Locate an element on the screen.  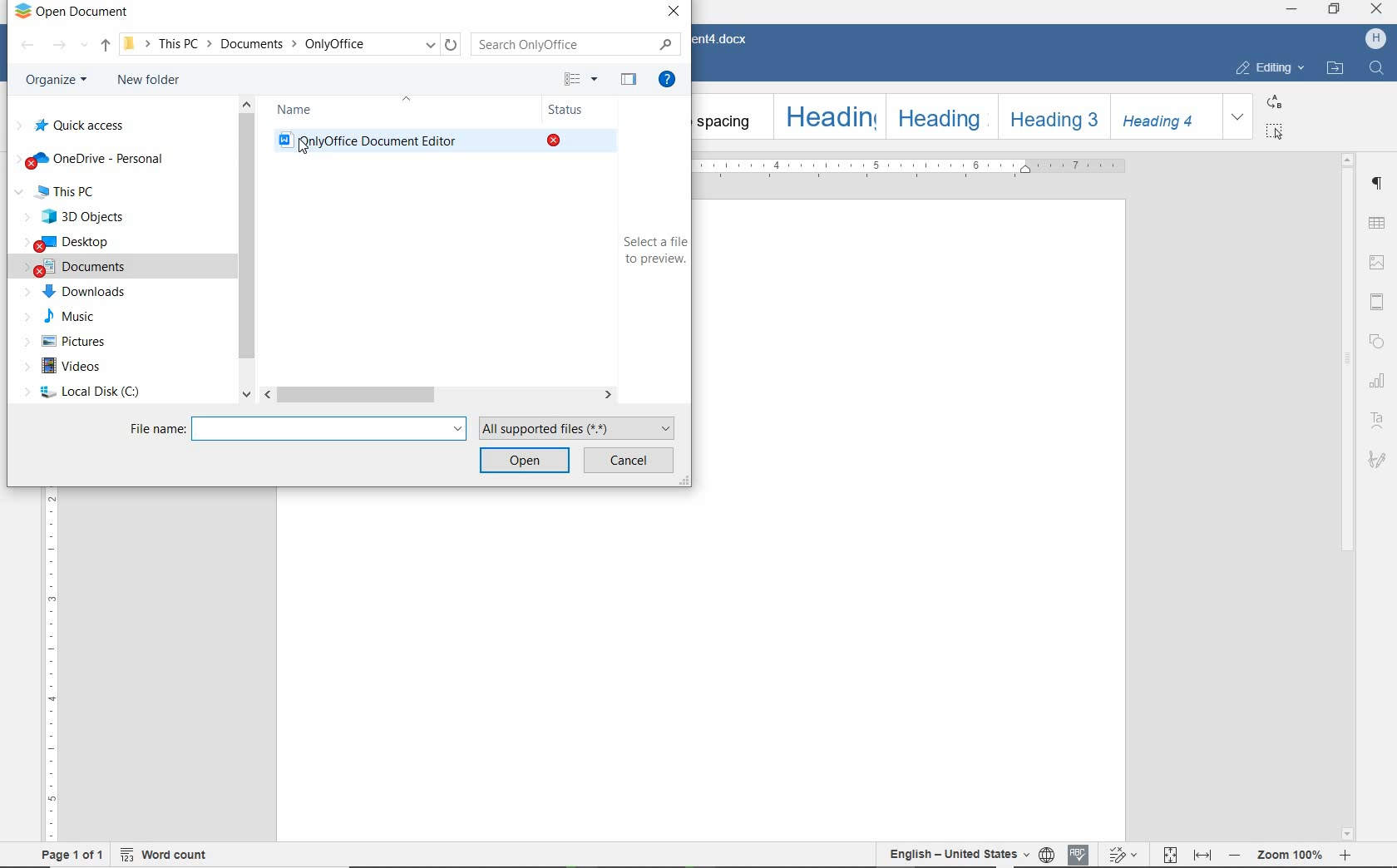
Image is located at coordinates (1380, 261).